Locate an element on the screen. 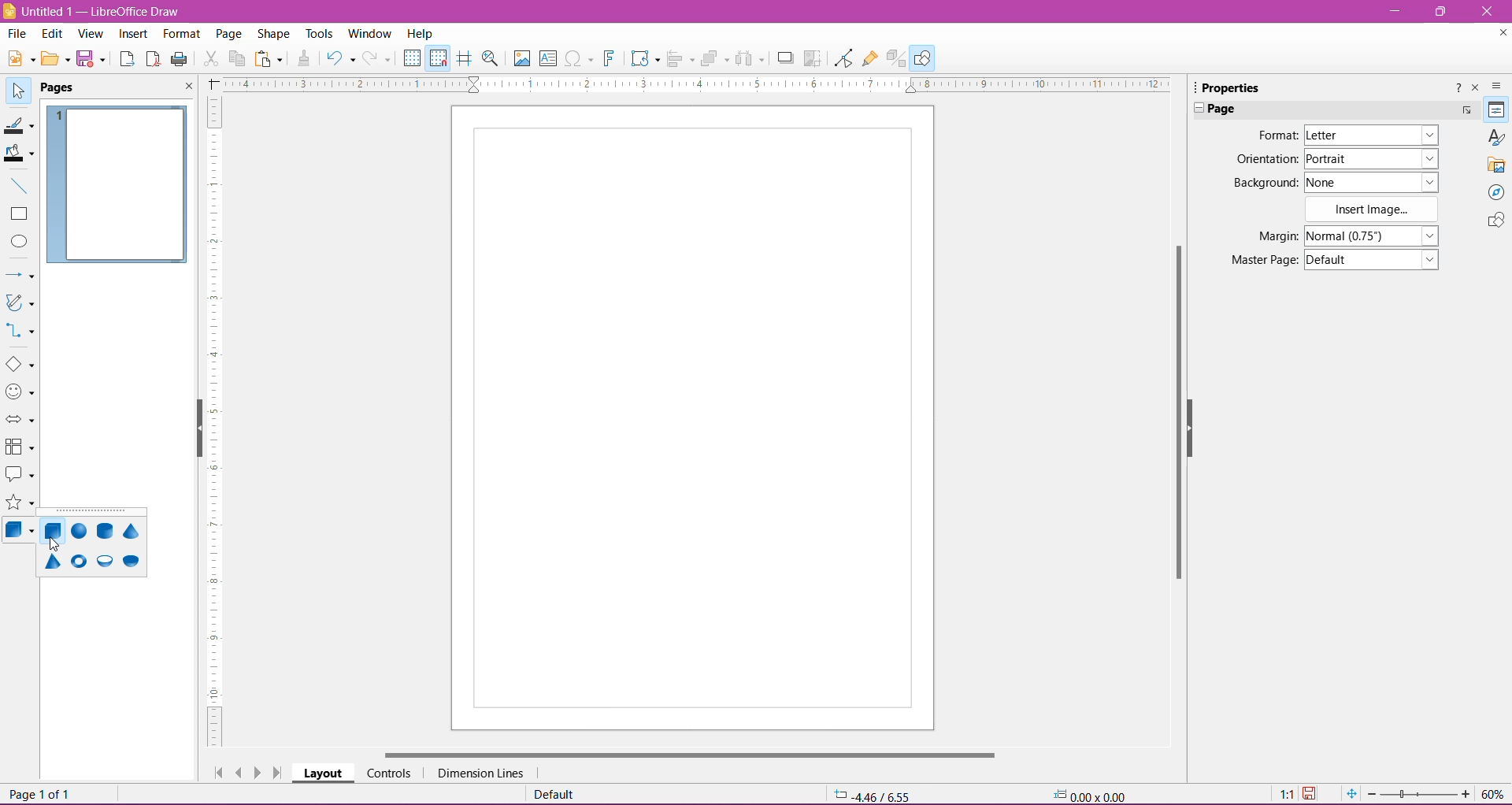 This screenshot has width=1512, height=805. File is located at coordinates (17, 33).